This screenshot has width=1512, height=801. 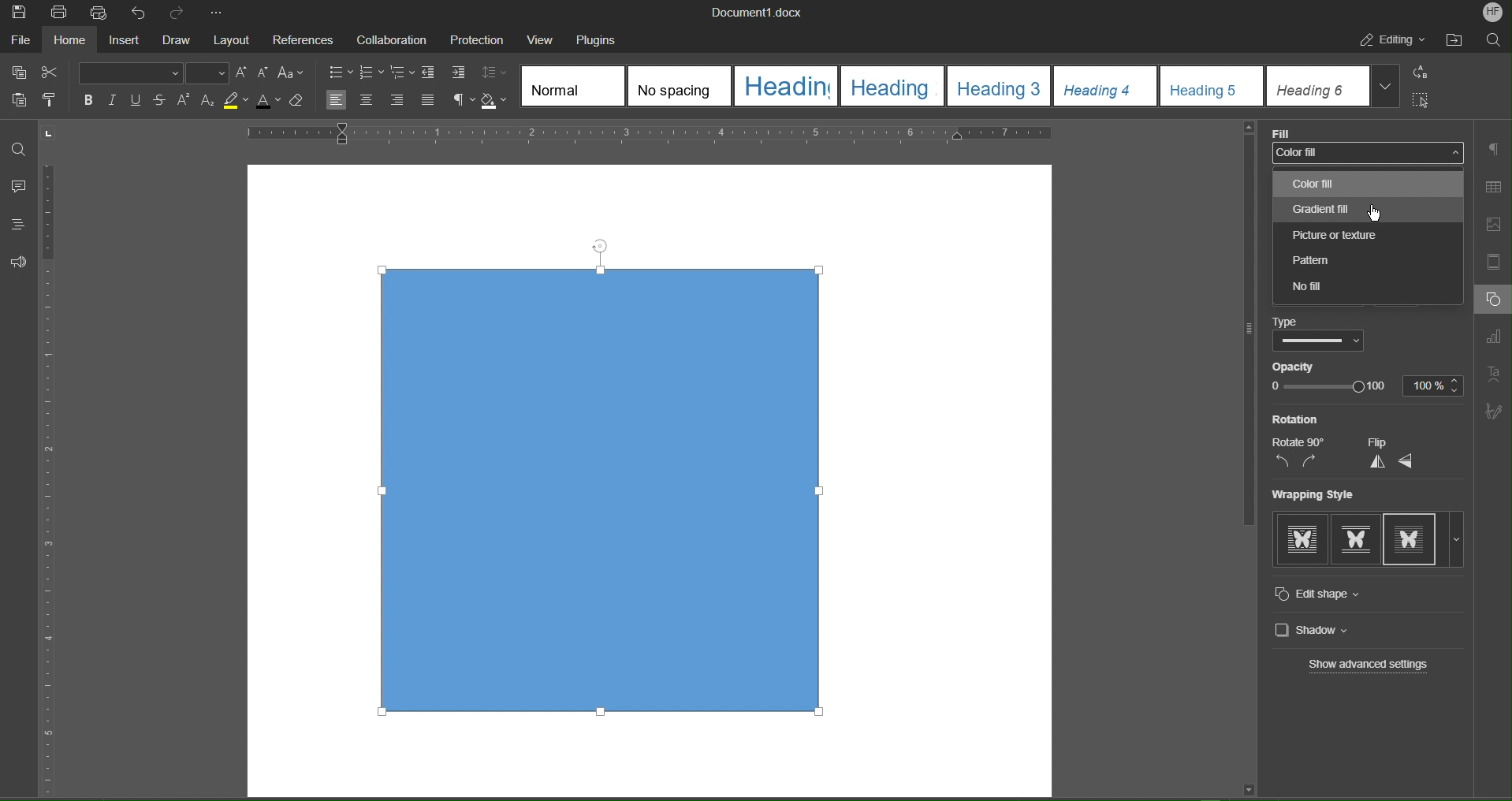 I want to click on Superscript, so click(x=184, y=102).